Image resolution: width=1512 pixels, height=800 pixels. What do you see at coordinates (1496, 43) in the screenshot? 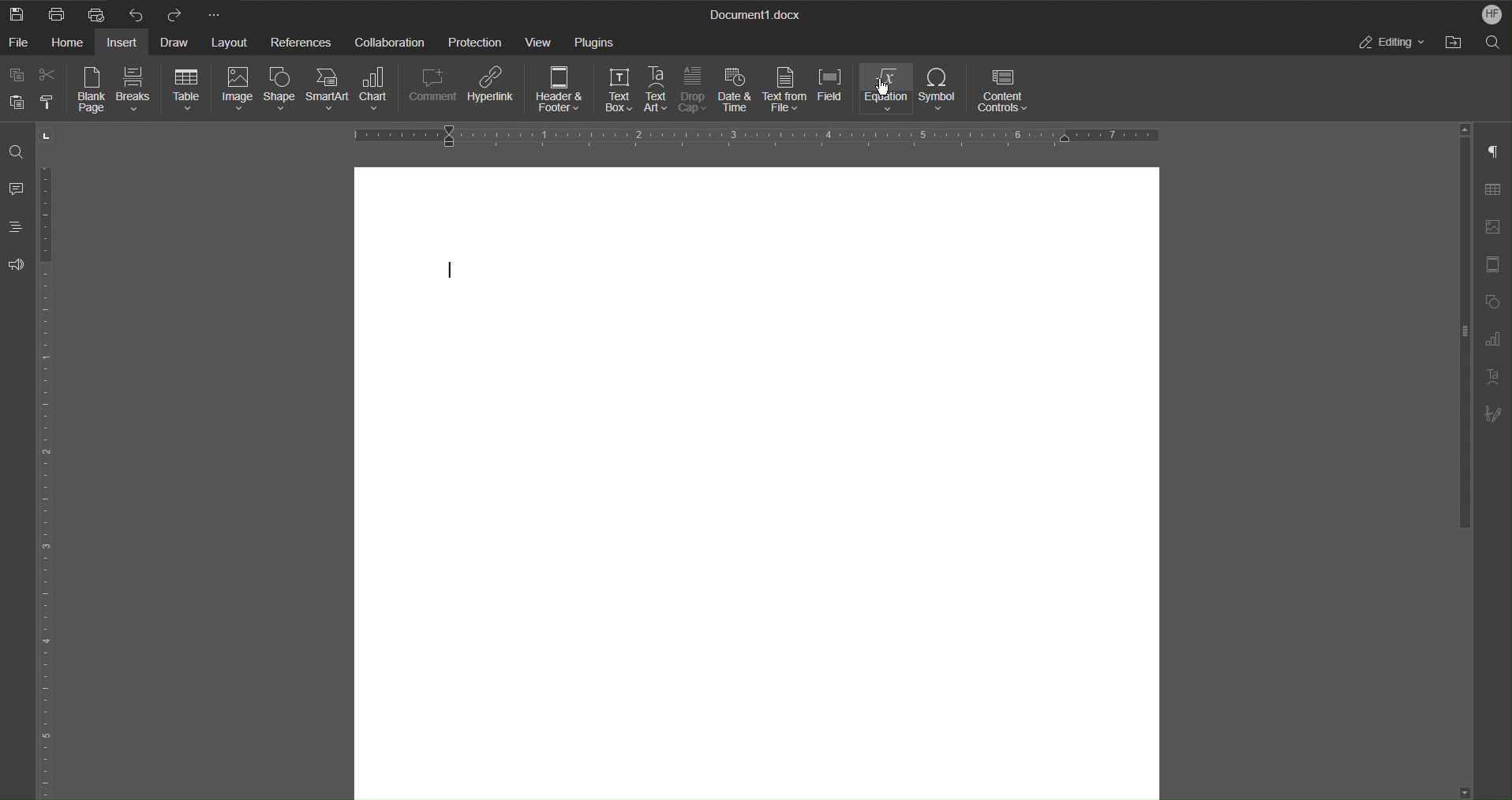
I see `Search` at bounding box center [1496, 43].